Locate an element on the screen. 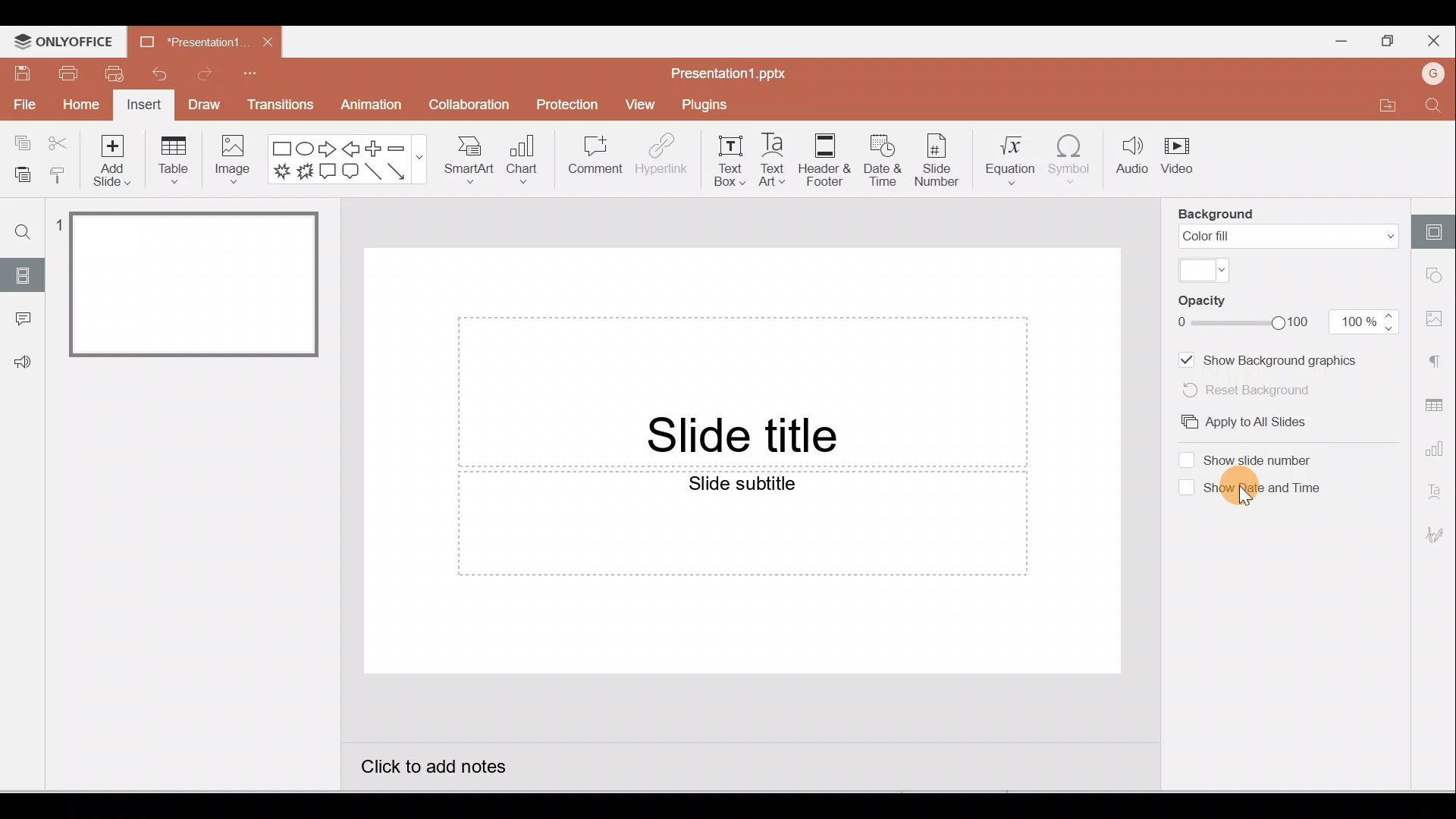 This screenshot has height=819, width=1456. Plugins is located at coordinates (714, 102).